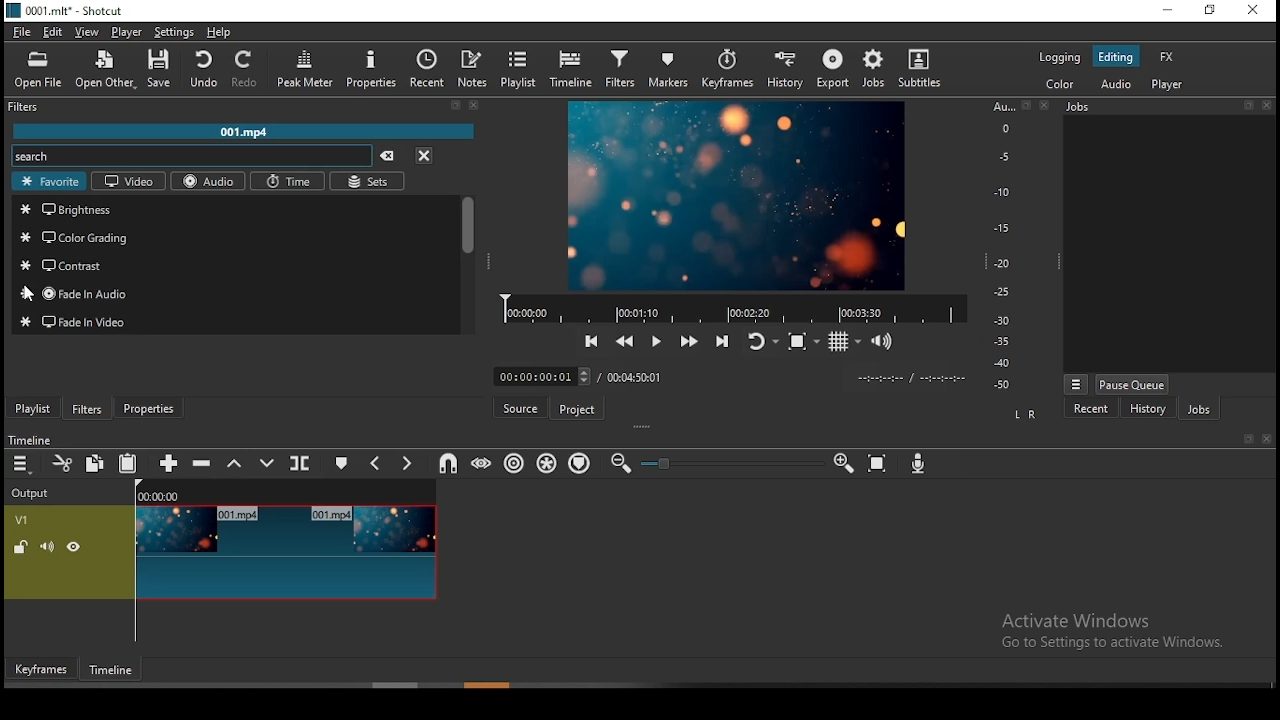  Describe the element at coordinates (491, 685) in the screenshot. I see `scroll bar` at that location.